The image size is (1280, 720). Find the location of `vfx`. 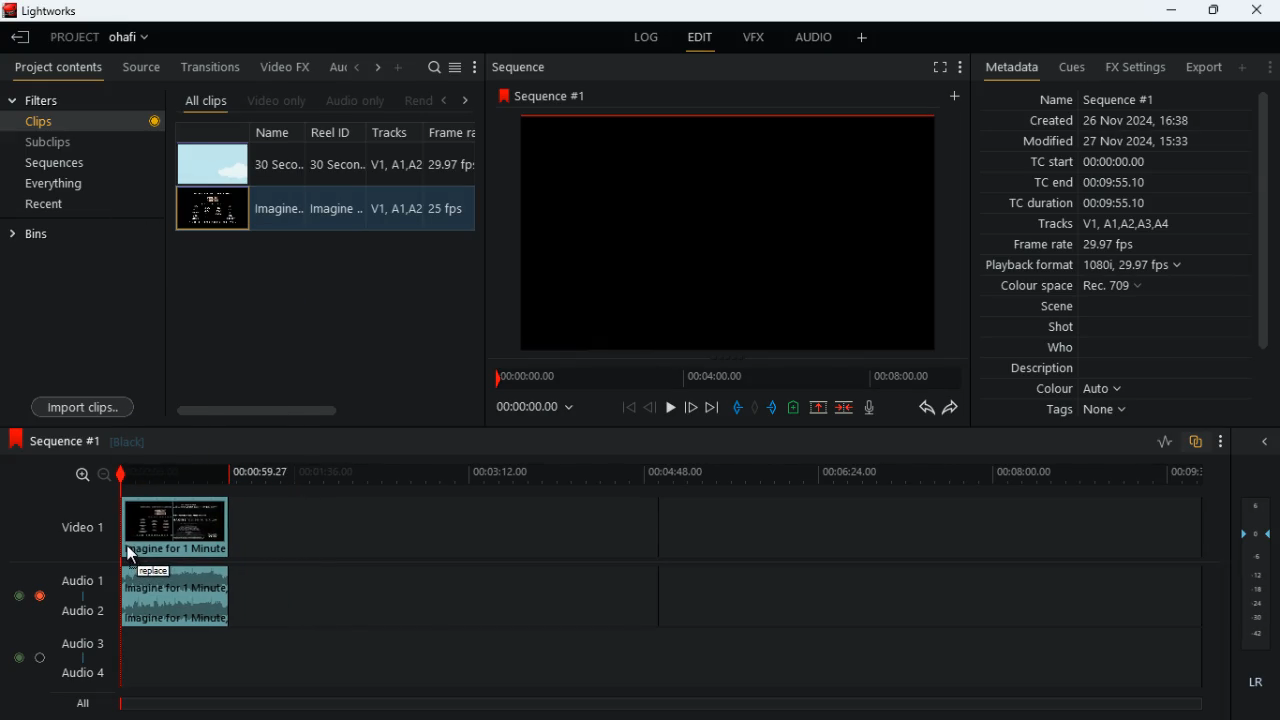

vfx is located at coordinates (760, 41).